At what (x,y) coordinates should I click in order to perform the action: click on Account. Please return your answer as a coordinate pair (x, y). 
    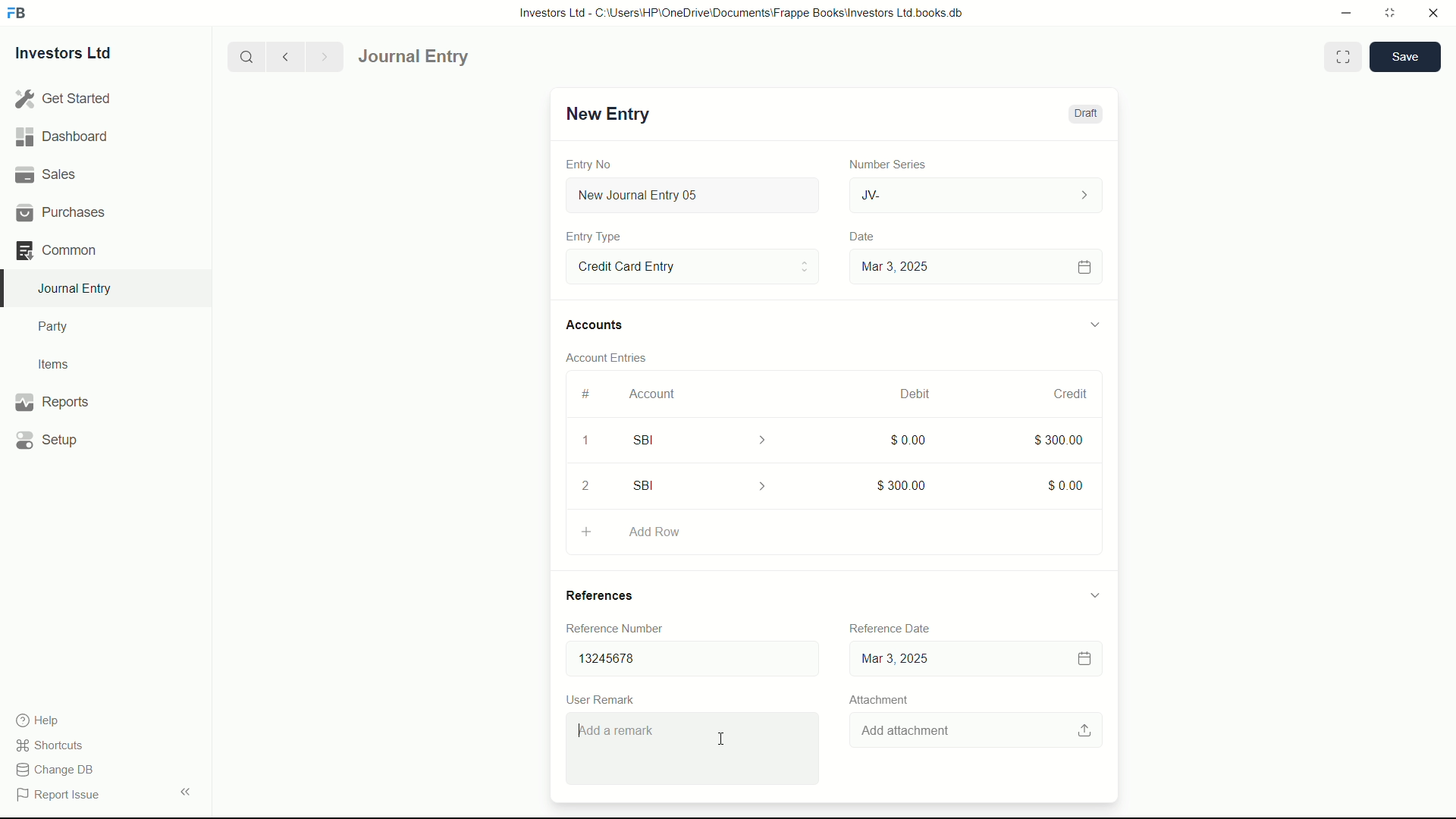
    Looking at the image, I should click on (653, 394).